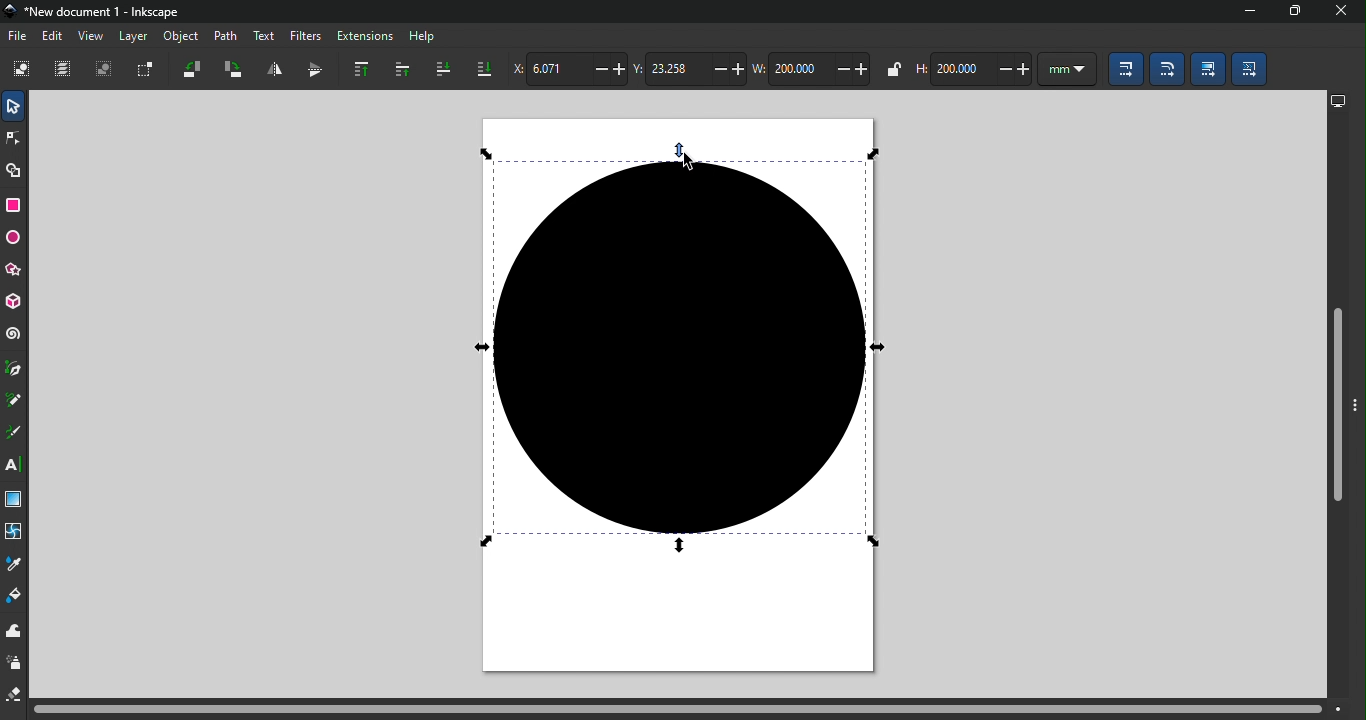 This screenshot has width=1366, height=720. I want to click on spray, so click(15, 664).